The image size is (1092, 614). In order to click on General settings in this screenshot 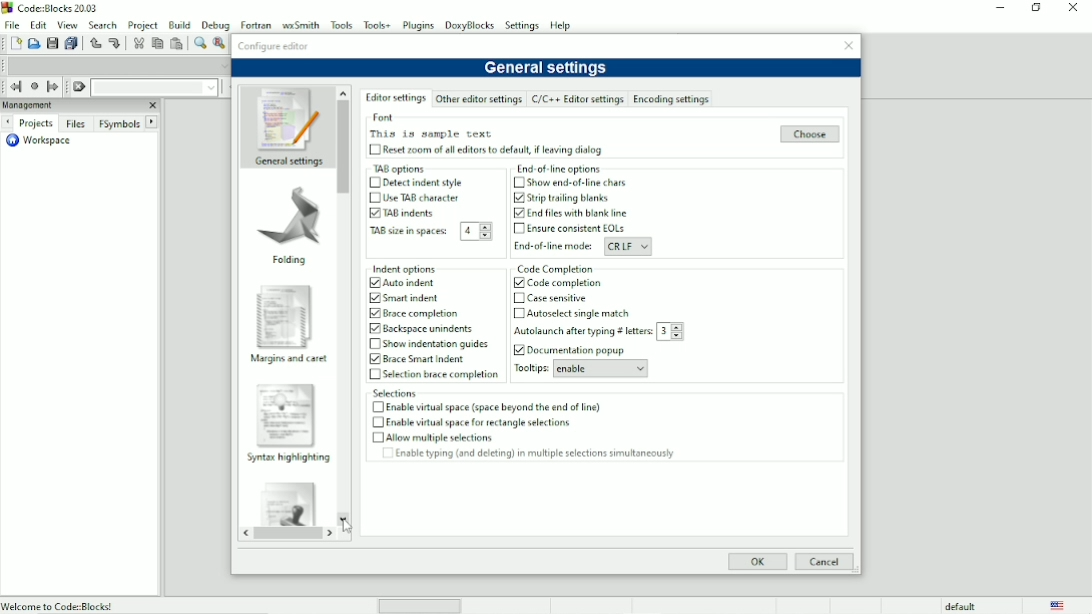, I will do `click(288, 162)`.